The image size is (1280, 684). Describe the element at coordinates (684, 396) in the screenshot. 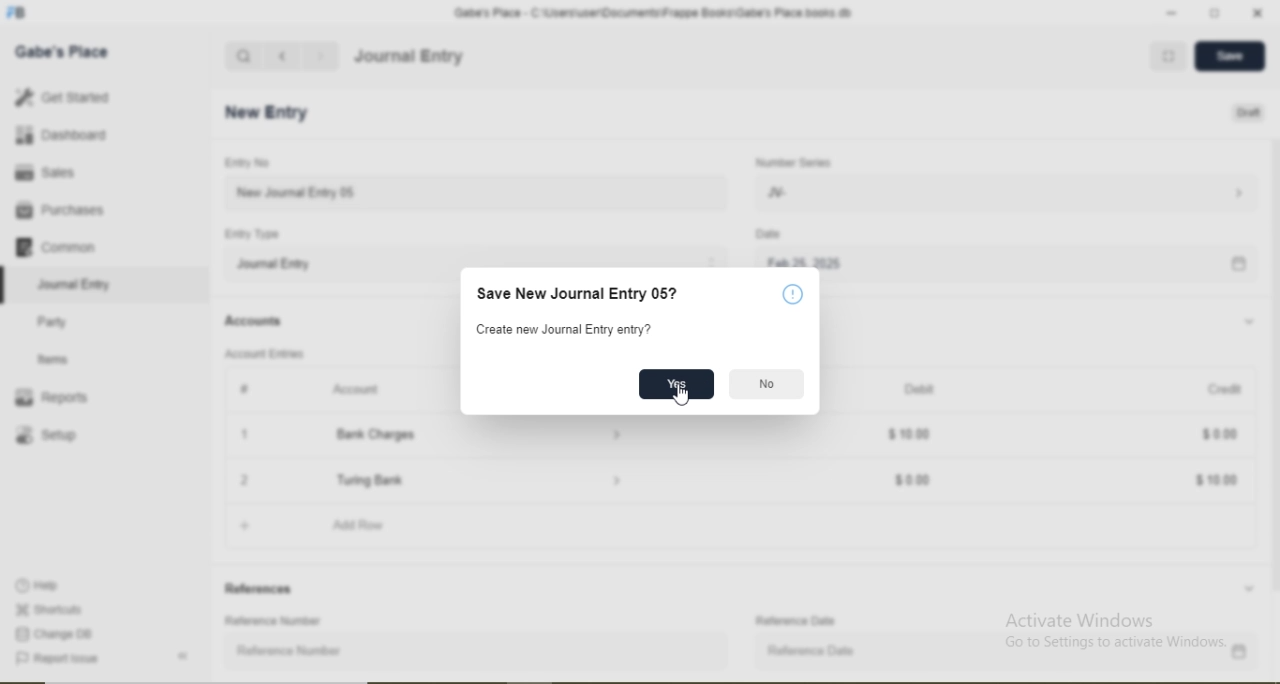

I see `cursor` at that location.